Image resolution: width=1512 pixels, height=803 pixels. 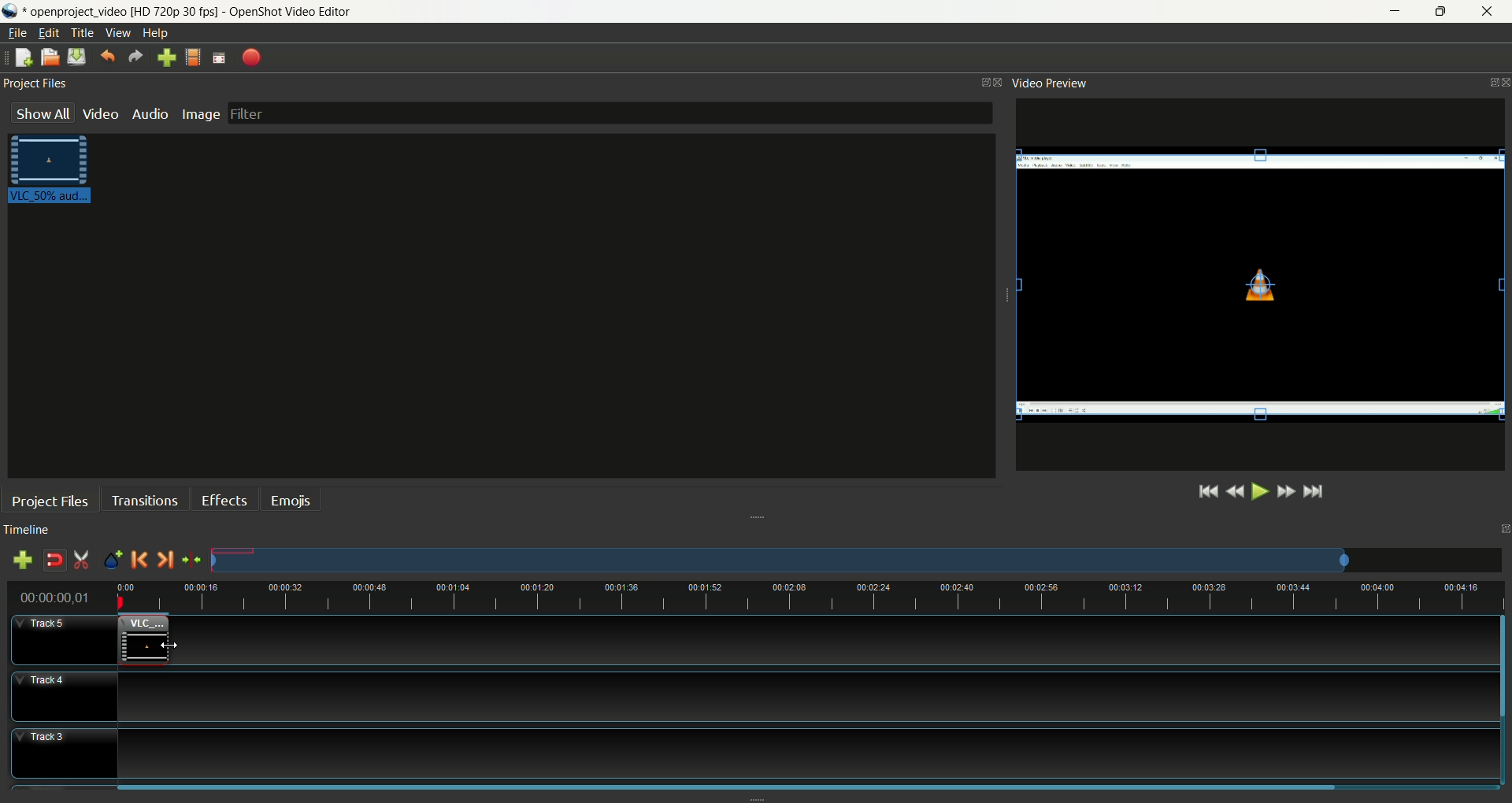 I want to click on add marker, so click(x=113, y=559).